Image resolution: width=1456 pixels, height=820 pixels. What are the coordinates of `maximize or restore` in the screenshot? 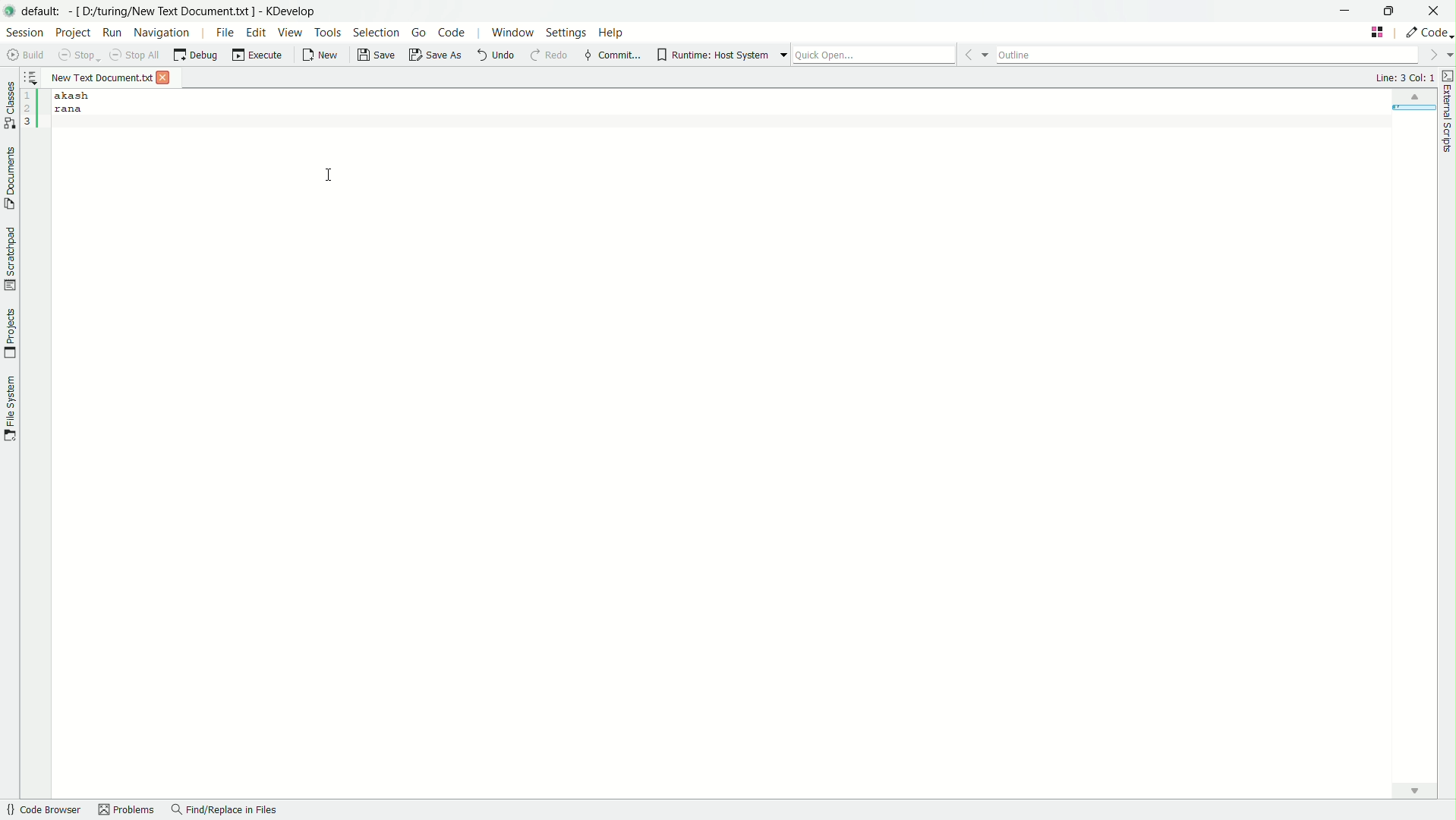 It's located at (1396, 11).